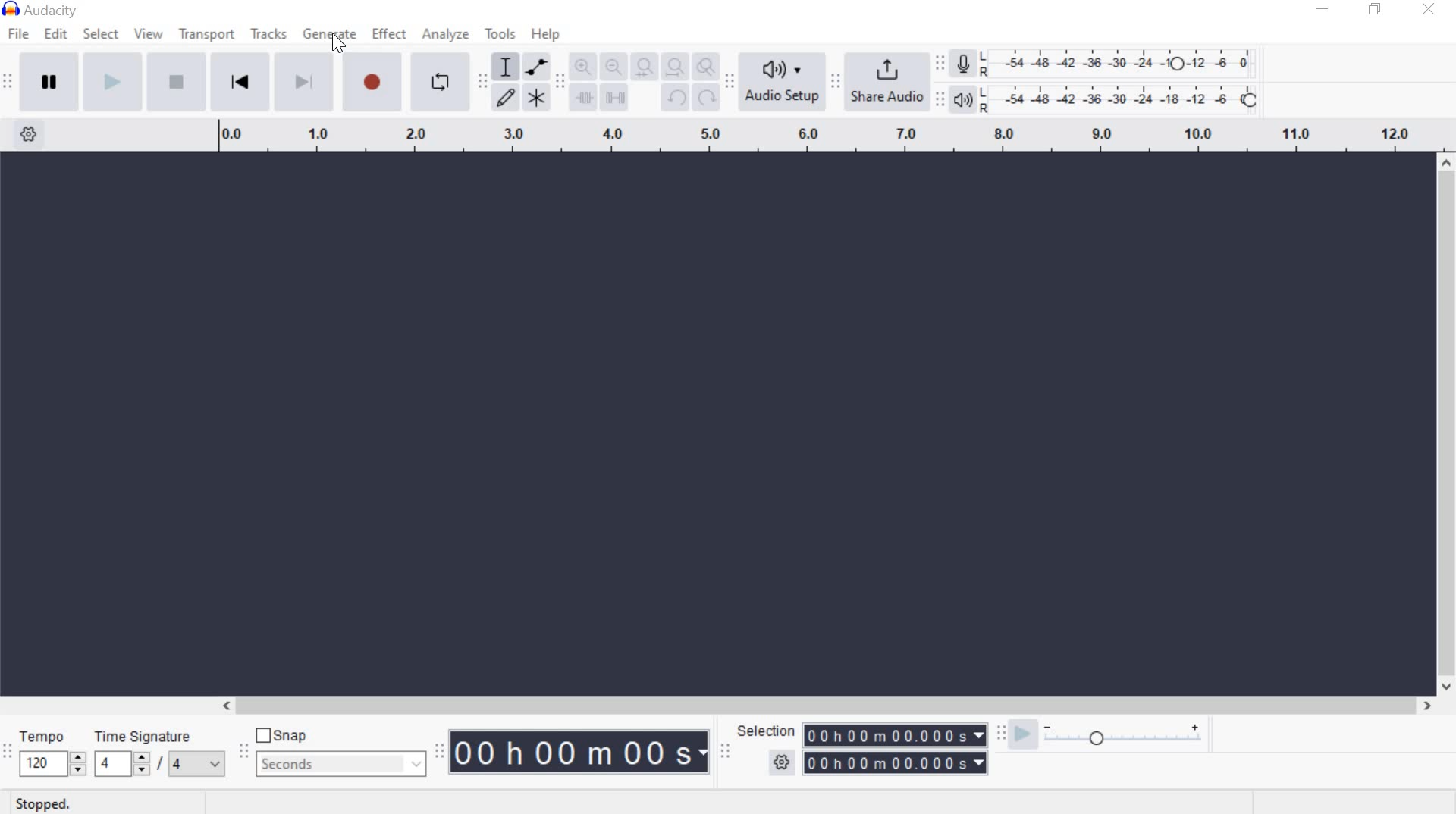 The image size is (1456, 814). What do you see at coordinates (1447, 426) in the screenshot?
I see `scrollbar` at bounding box center [1447, 426].